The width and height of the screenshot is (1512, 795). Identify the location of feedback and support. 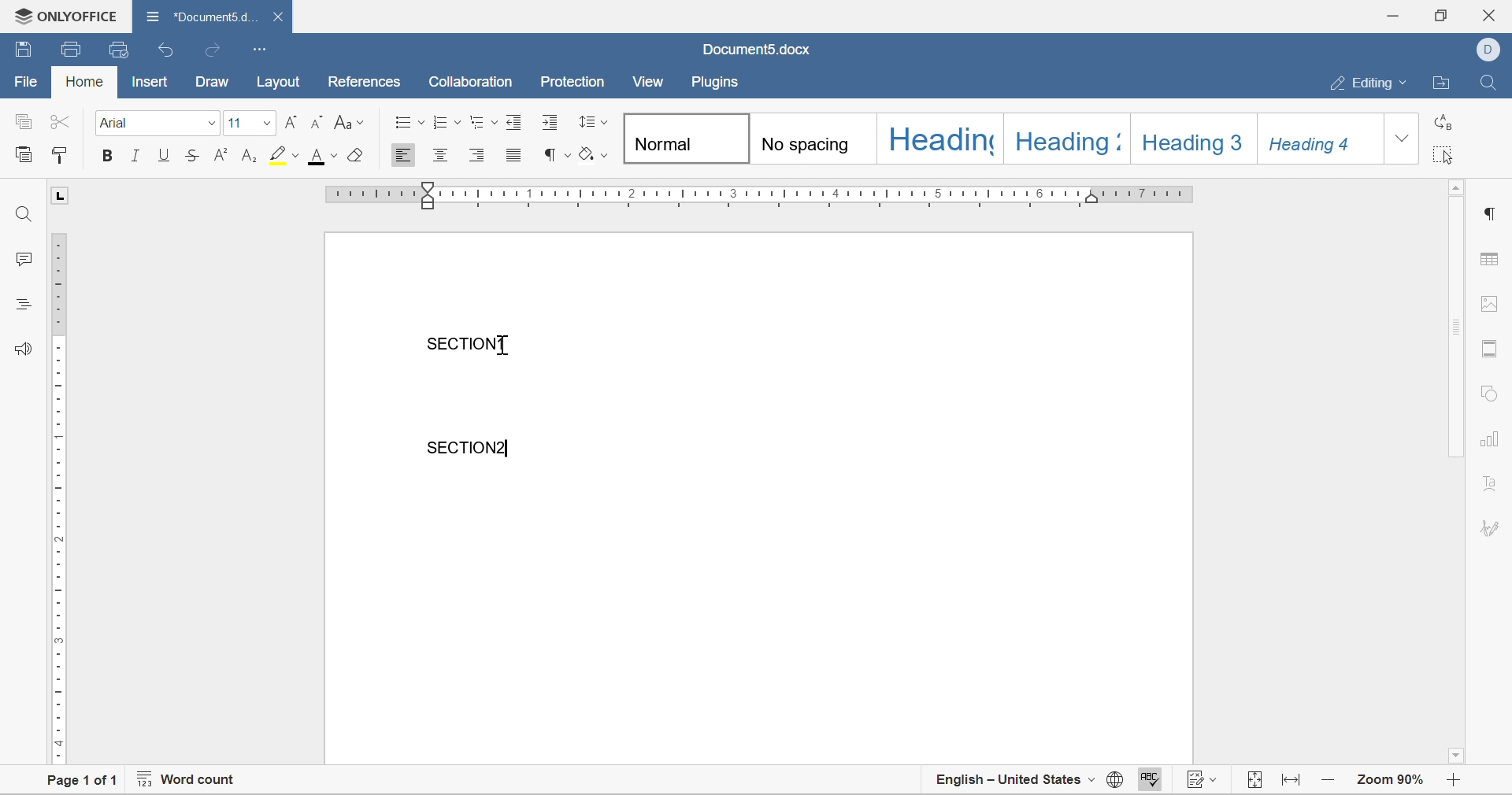
(24, 347).